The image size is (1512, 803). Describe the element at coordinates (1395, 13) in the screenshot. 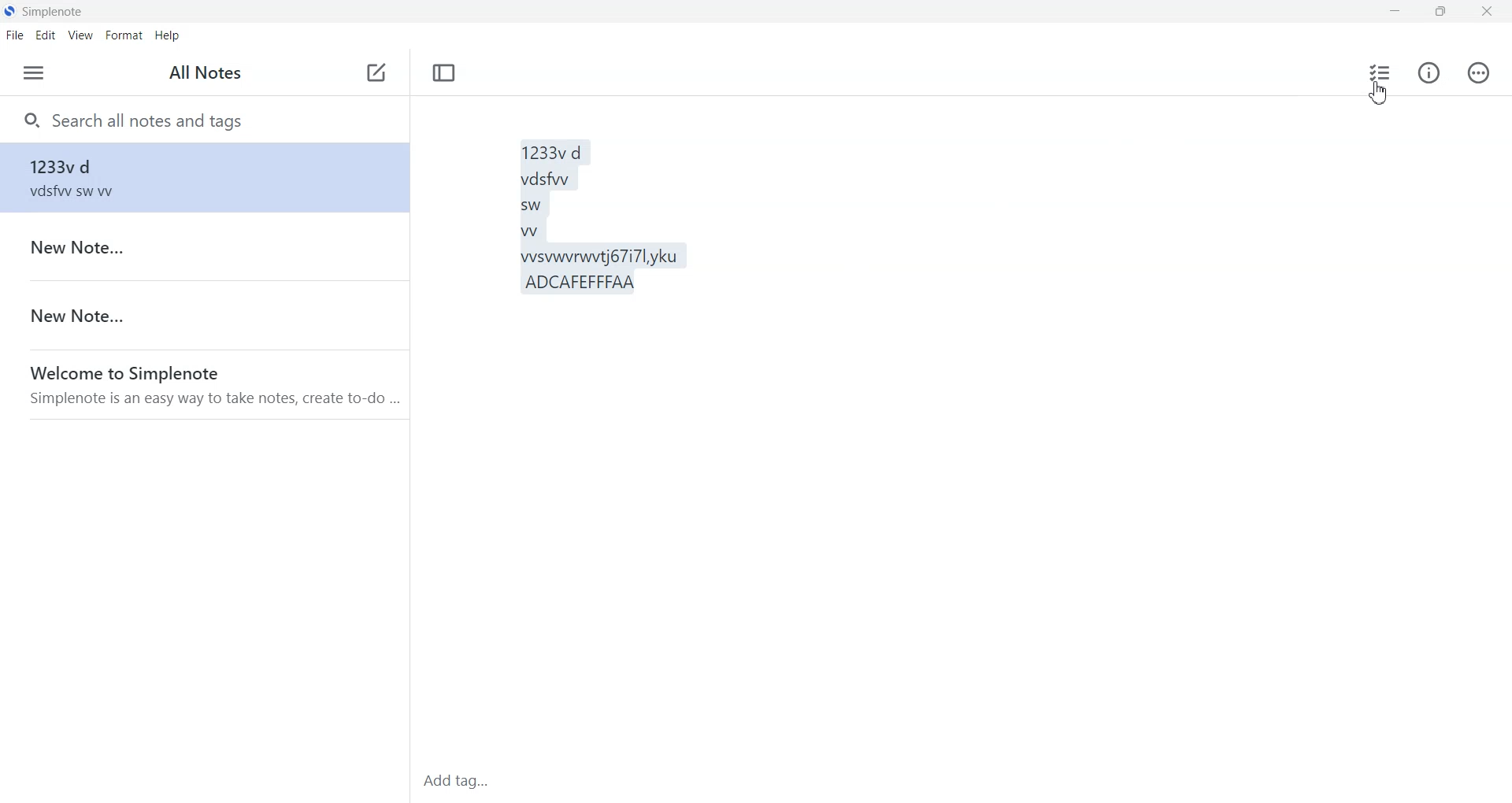

I see `Minimize` at that location.